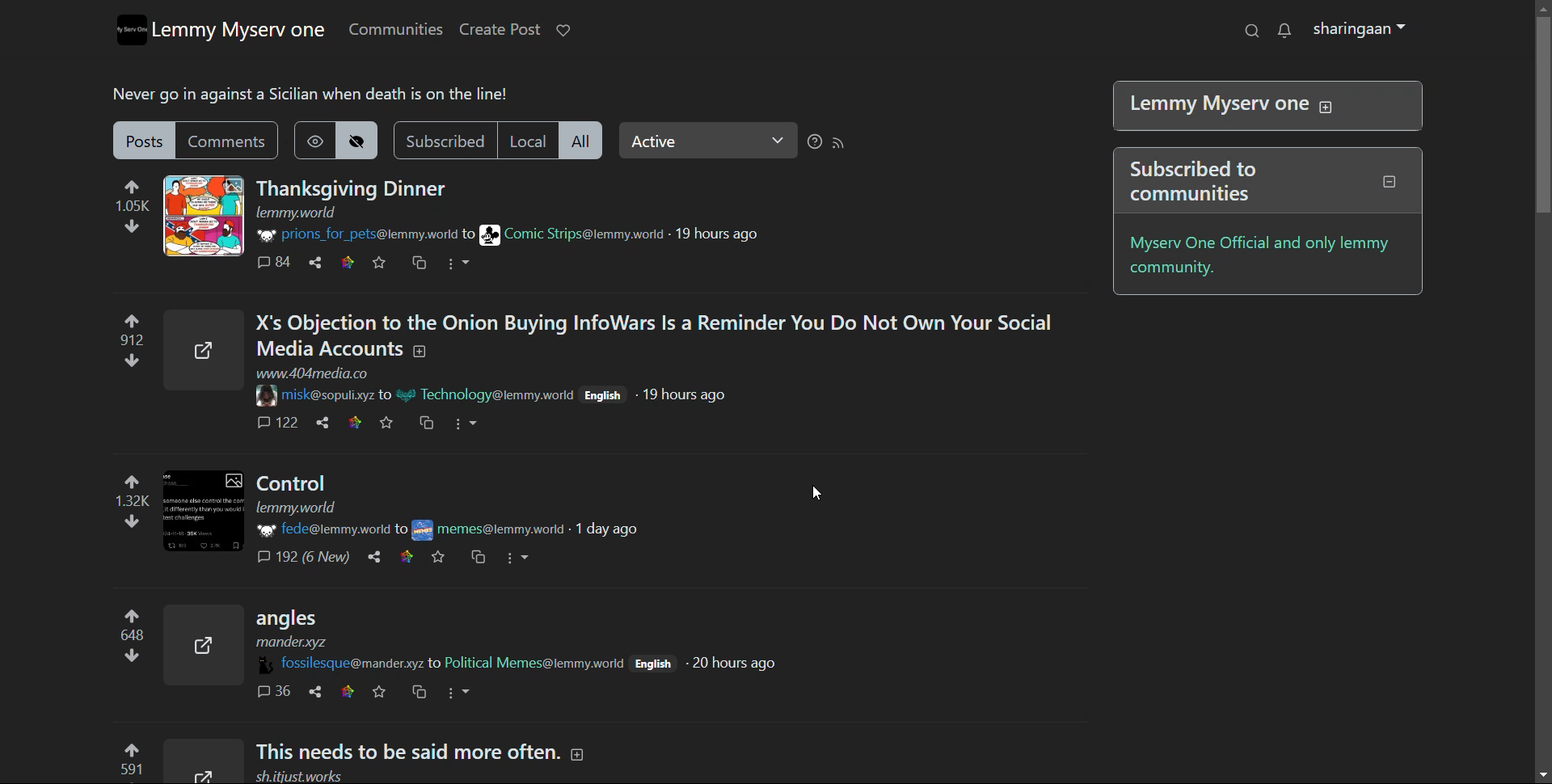  Describe the element at coordinates (487, 528) in the screenshot. I see `community` at that location.